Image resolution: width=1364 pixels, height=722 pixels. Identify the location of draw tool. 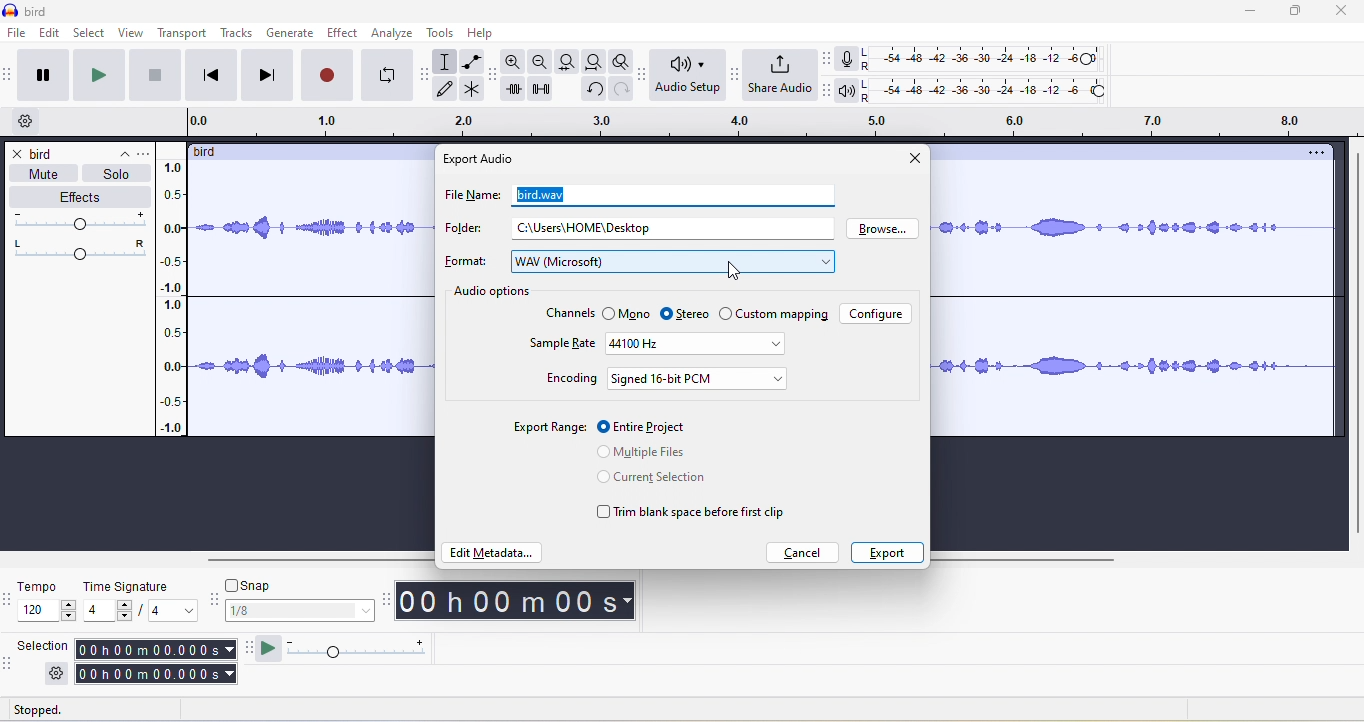
(450, 90).